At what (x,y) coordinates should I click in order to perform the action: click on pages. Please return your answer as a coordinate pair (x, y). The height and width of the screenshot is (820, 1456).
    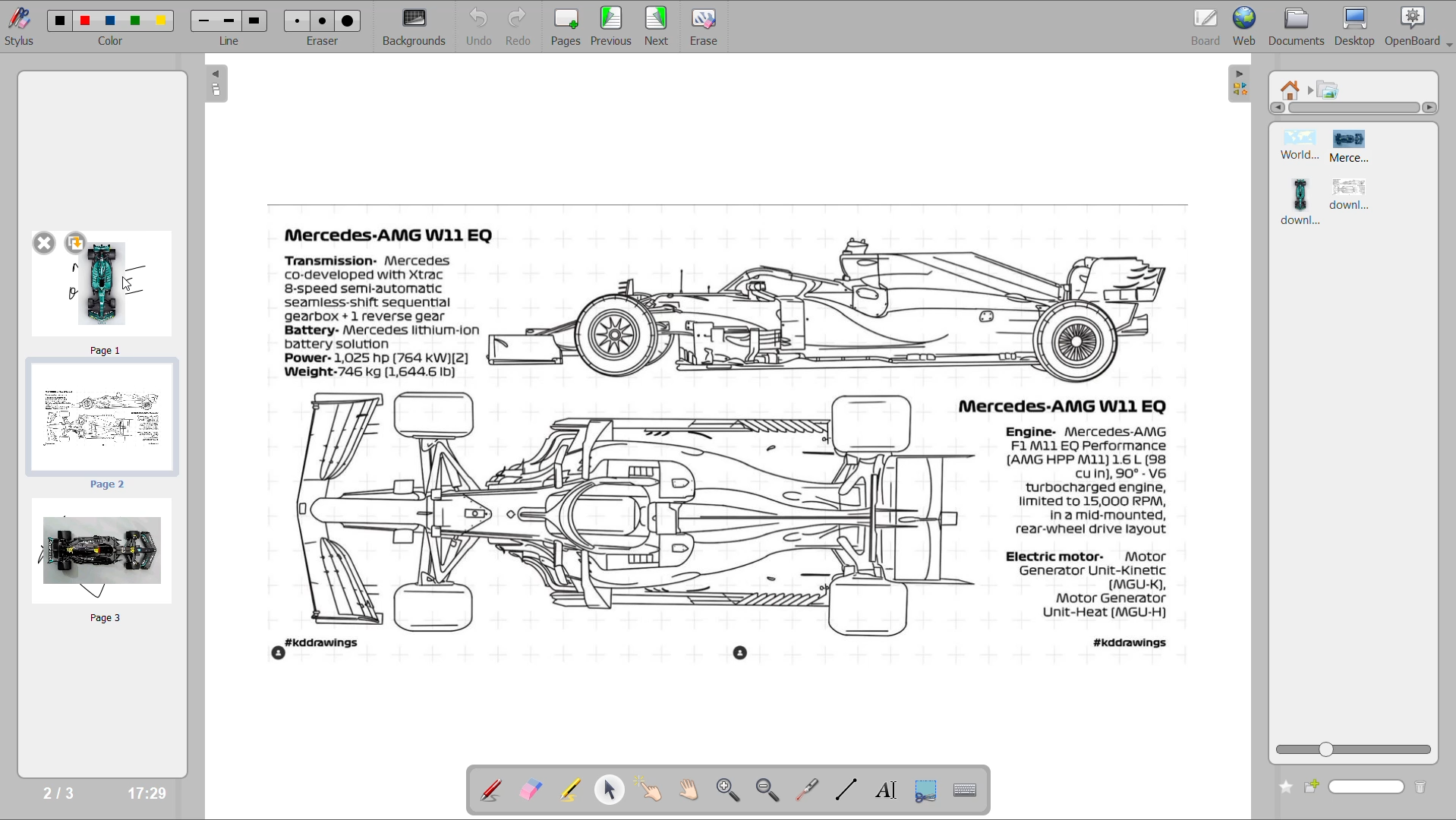
    Looking at the image, I should click on (566, 27).